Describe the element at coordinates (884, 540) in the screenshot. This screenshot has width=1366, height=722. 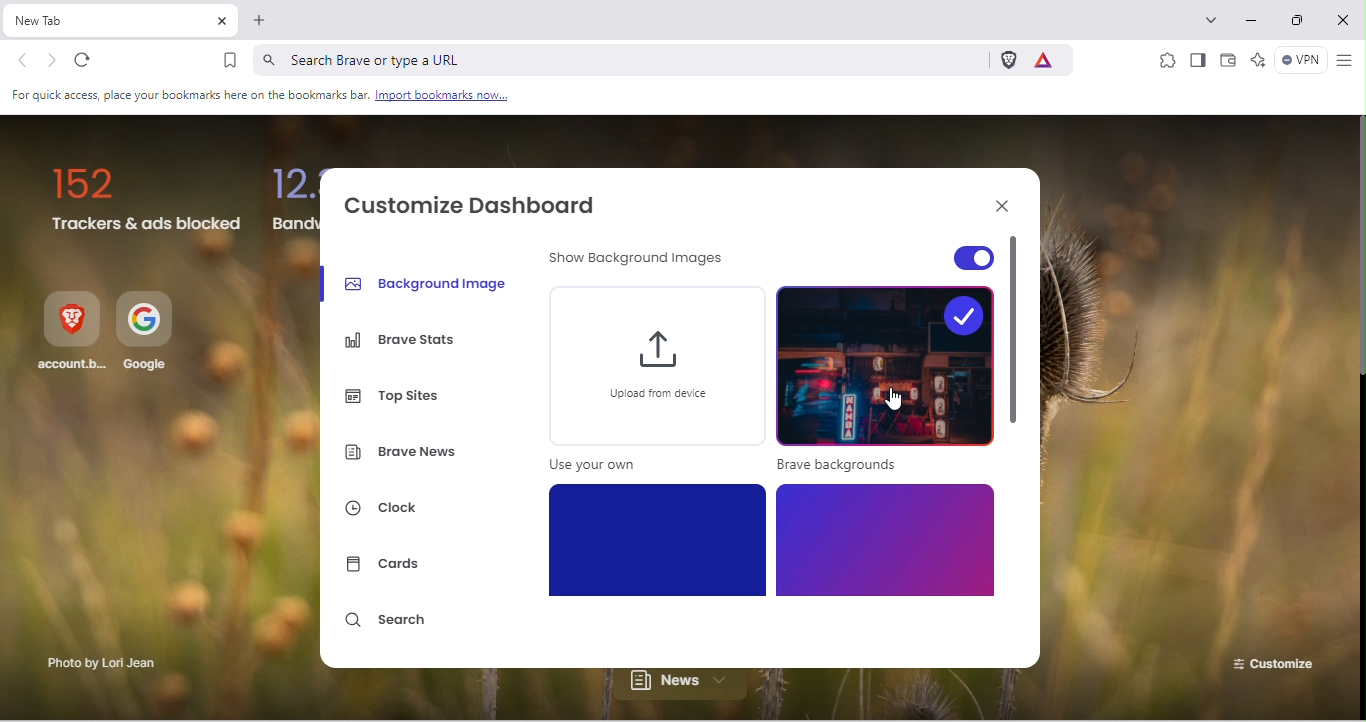
I see `Gradient` at that location.